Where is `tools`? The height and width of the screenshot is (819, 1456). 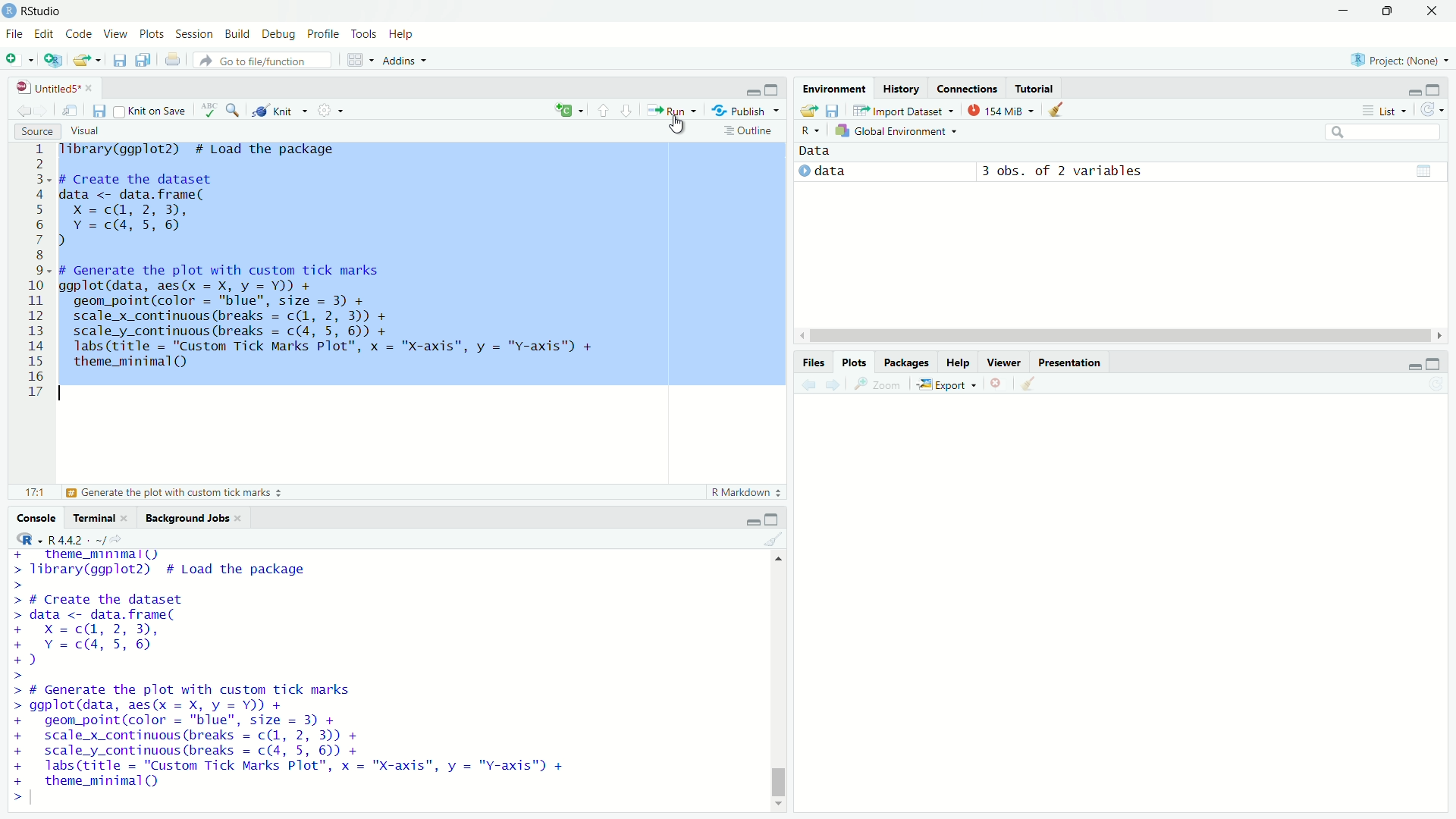
tools is located at coordinates (366, 33).